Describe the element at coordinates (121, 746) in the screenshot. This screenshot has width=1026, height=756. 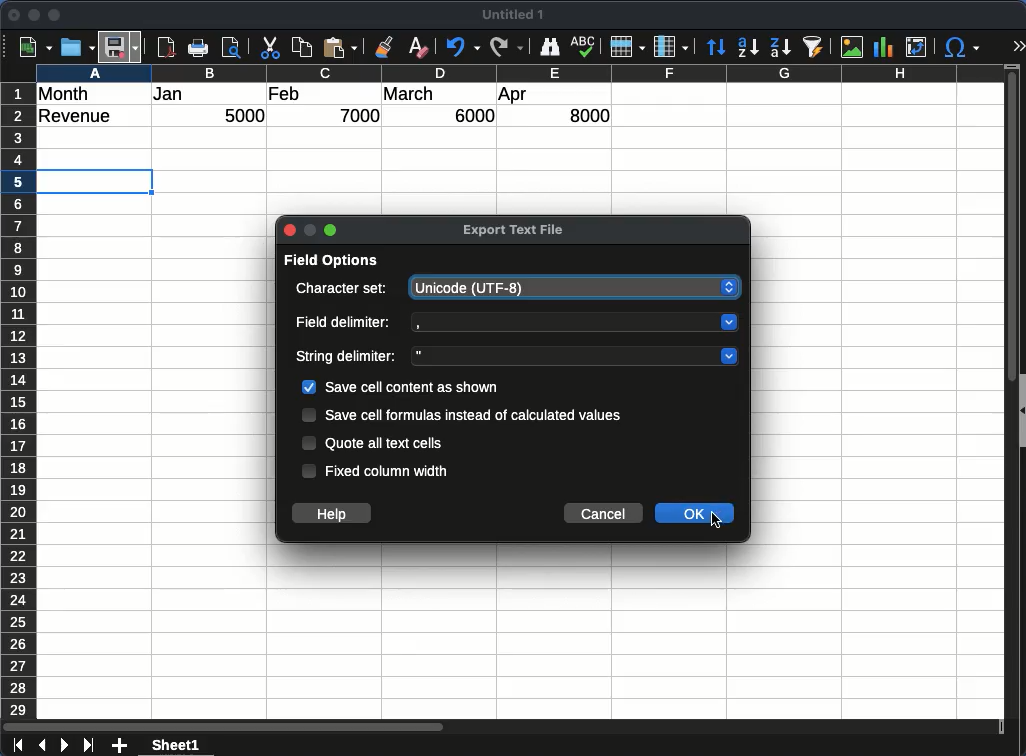
I see `add sheet` at that location.